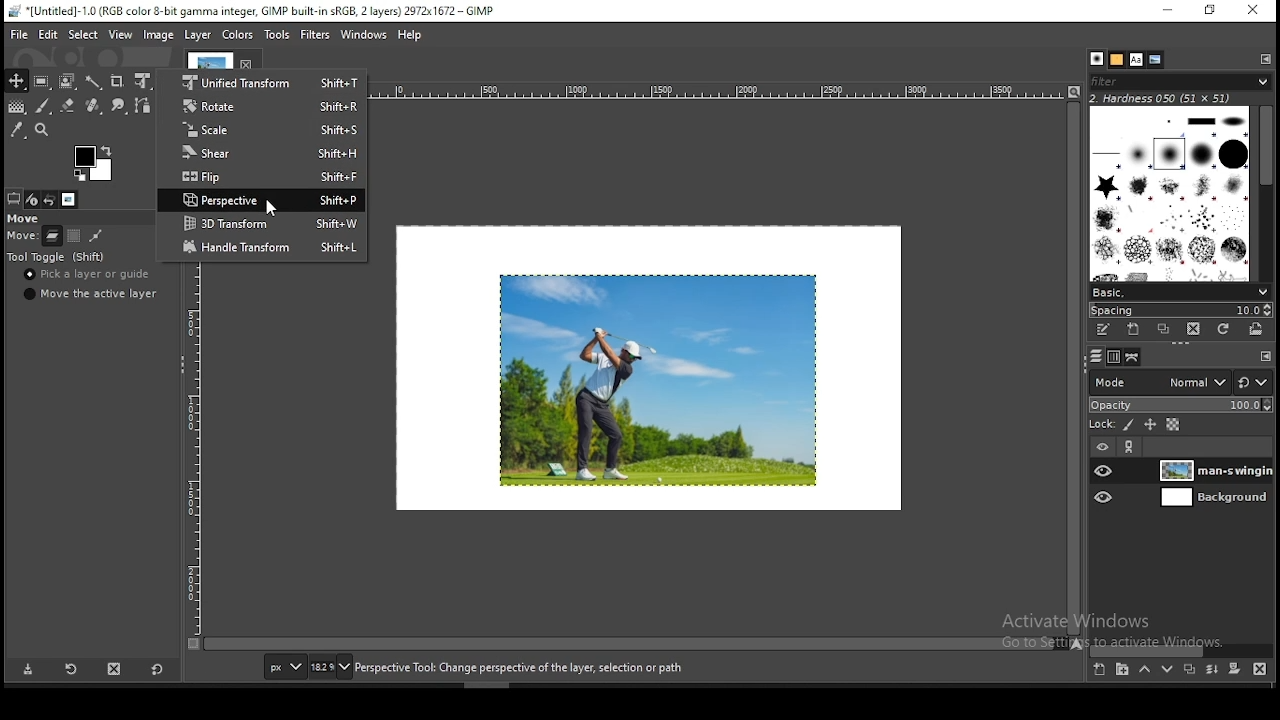 The height and width of the screenshot is (720, 1280). Describe the element at coordinates (251, 12) in the screenshot. I see `*[untitled]-1.0(rgb color 8-bit gamma integer, gimp built-in sRGB, 2 layers) 2972x1672 - gimp` at that location.